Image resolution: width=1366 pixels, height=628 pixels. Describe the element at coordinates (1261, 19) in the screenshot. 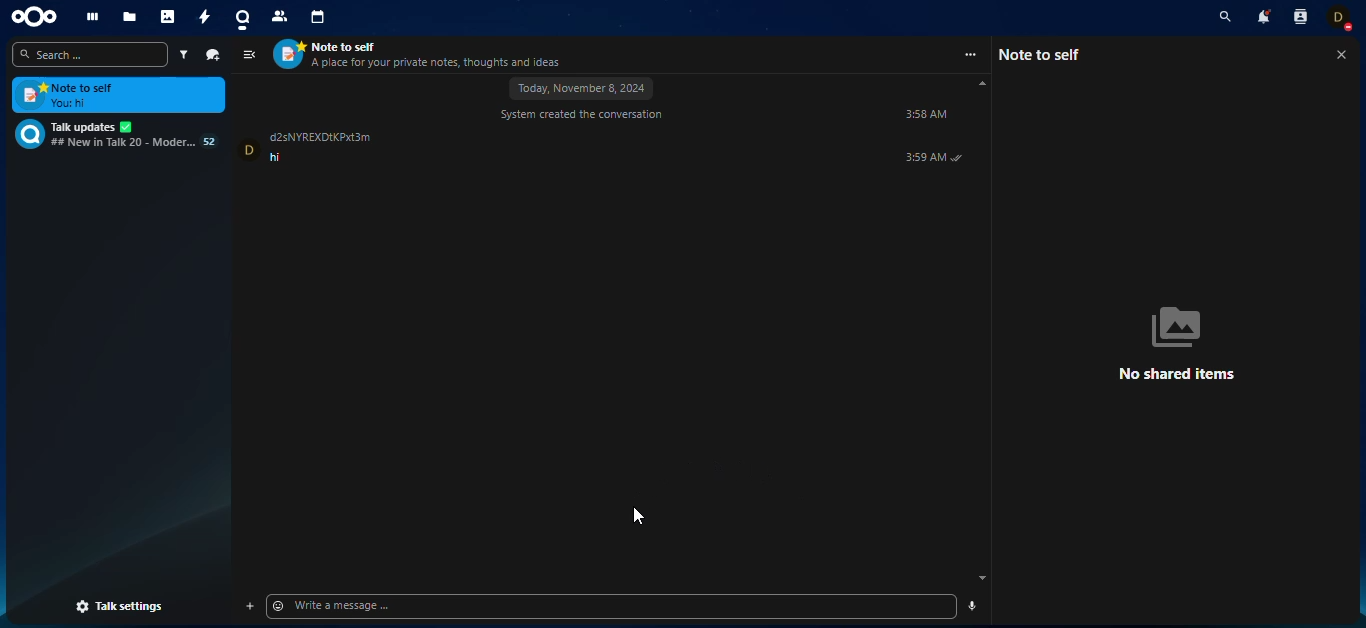

I see `notifications` at that location.